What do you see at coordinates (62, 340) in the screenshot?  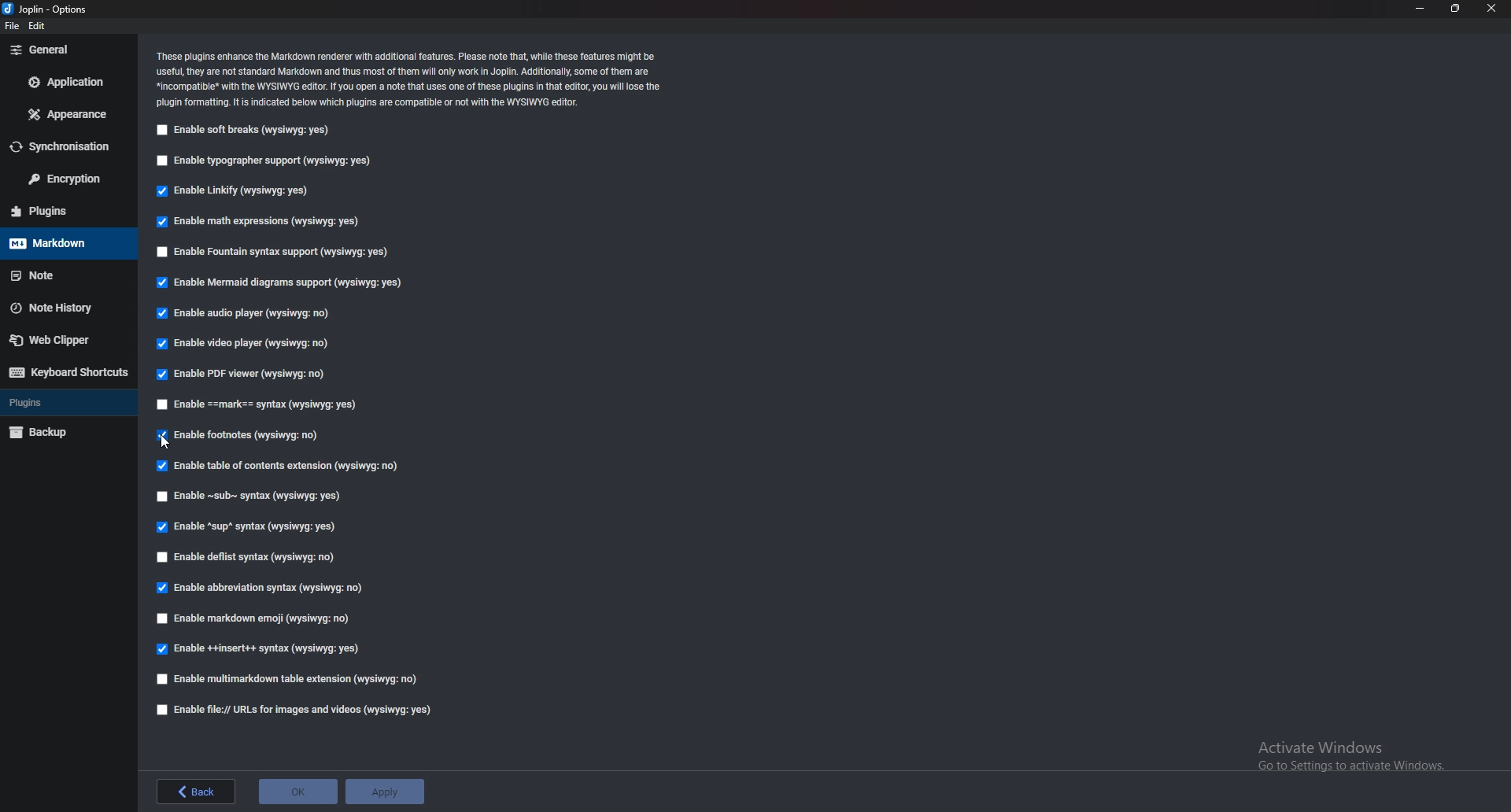 I see `Web clipper` at bounding box center [62, 340].